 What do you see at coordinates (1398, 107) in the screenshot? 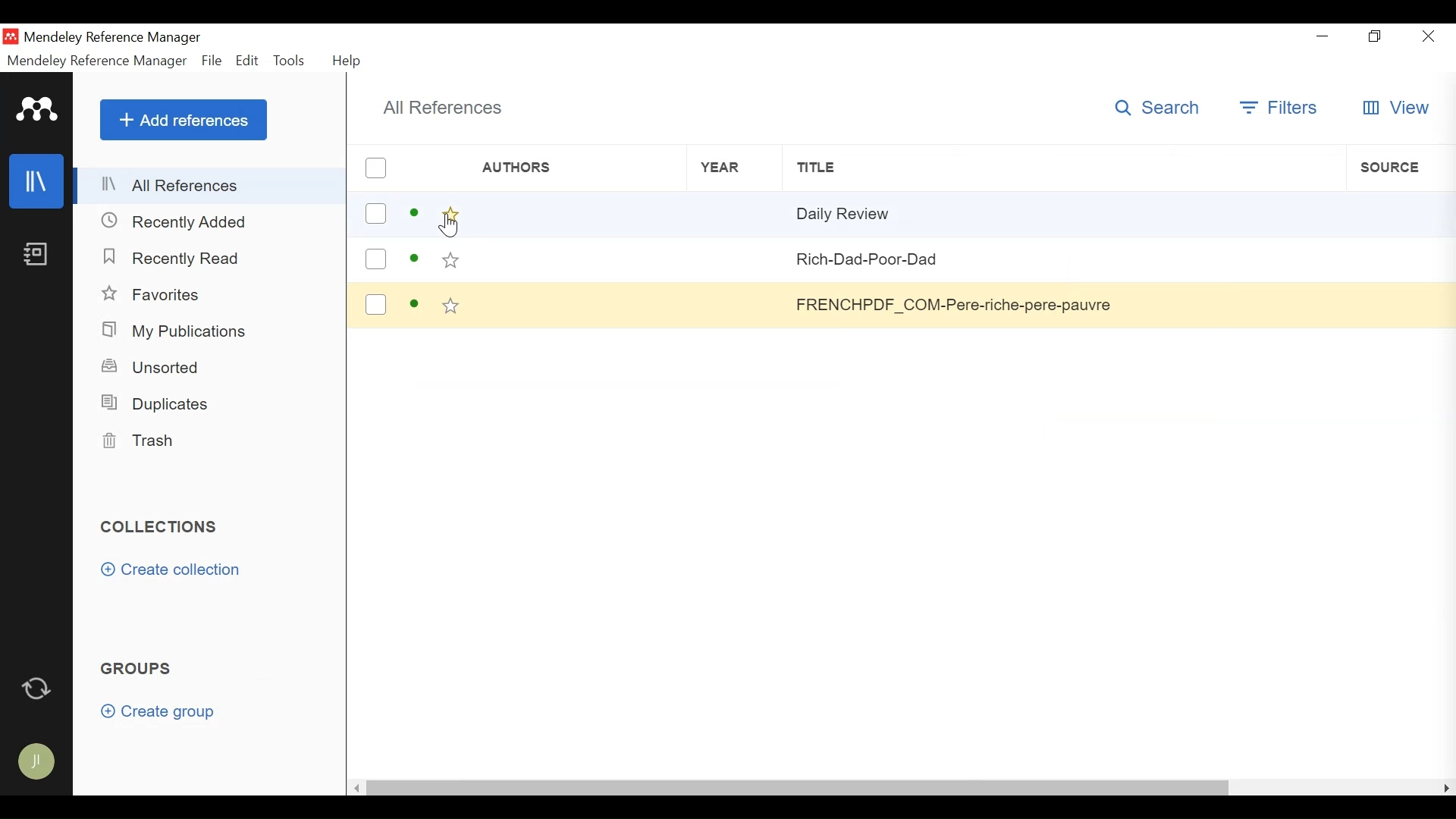
I see `View` at bounding box center [1398, 107].